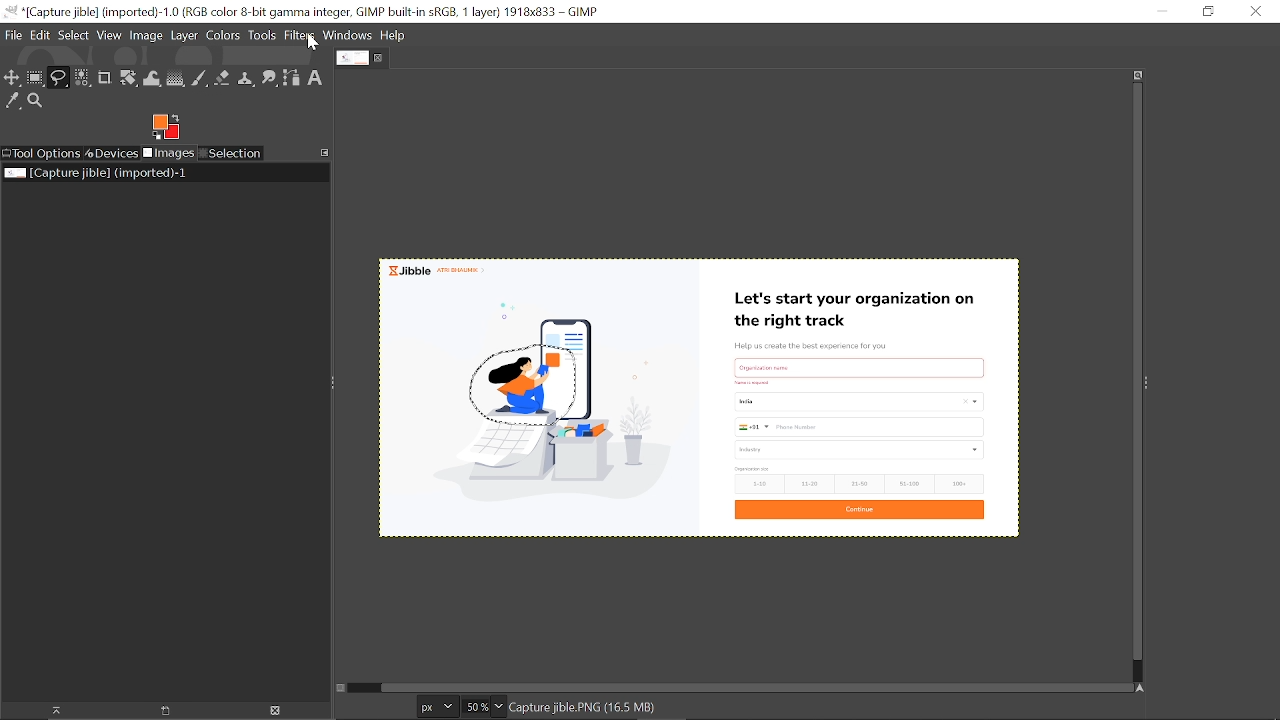  I want to click on Edit, so click(42, 35).